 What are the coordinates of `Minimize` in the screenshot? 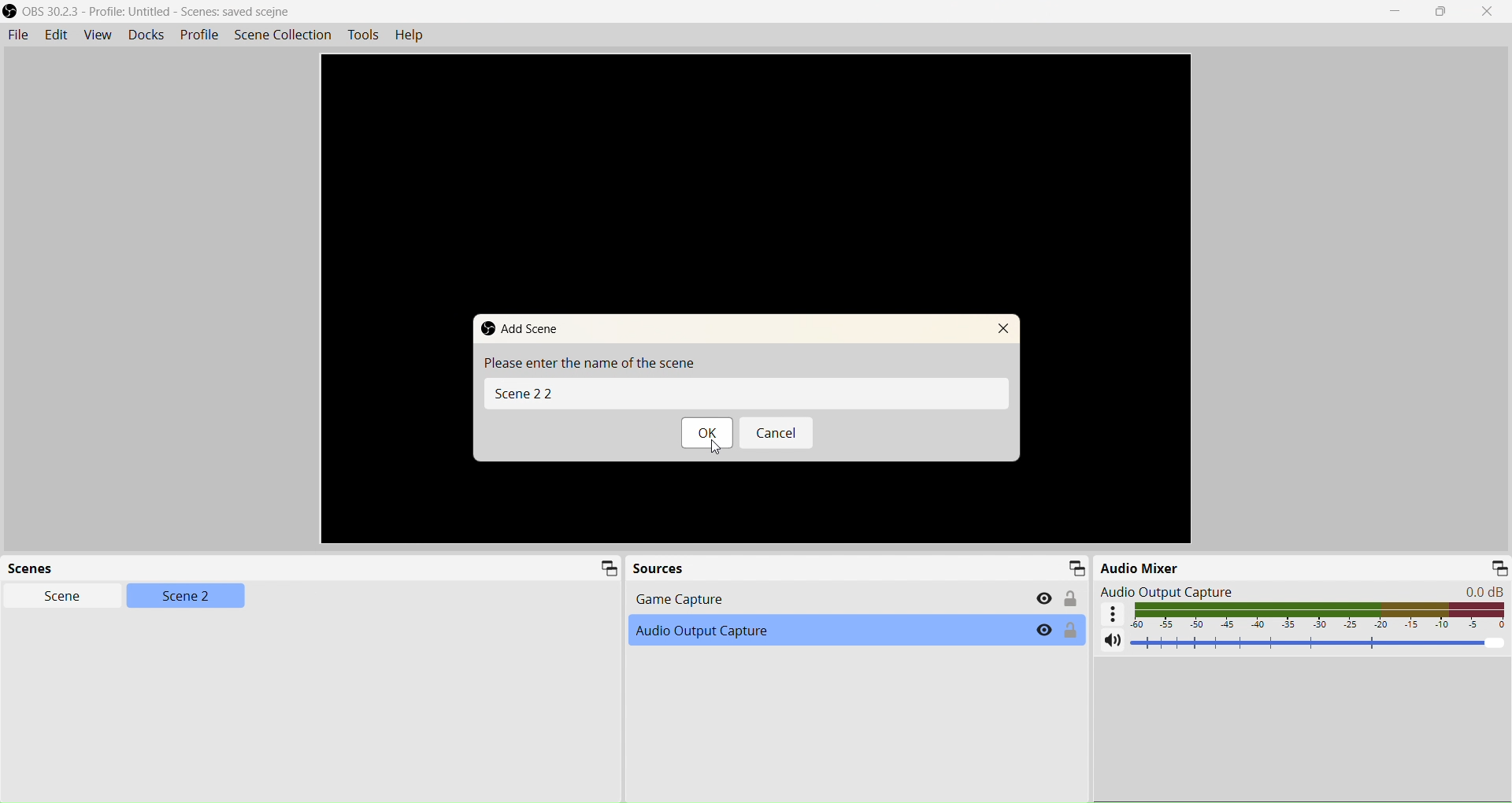 It's located at (1499, 568).